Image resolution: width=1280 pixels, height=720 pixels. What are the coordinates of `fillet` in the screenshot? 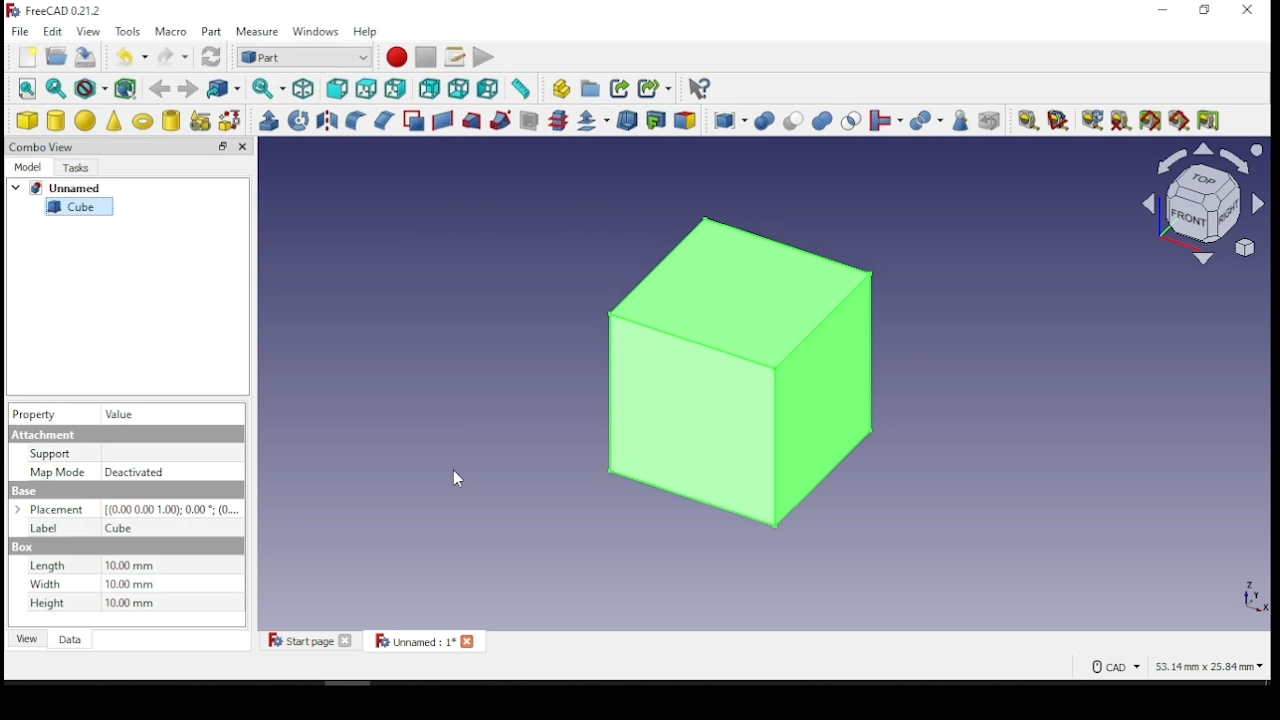 It's located at (355, 120).